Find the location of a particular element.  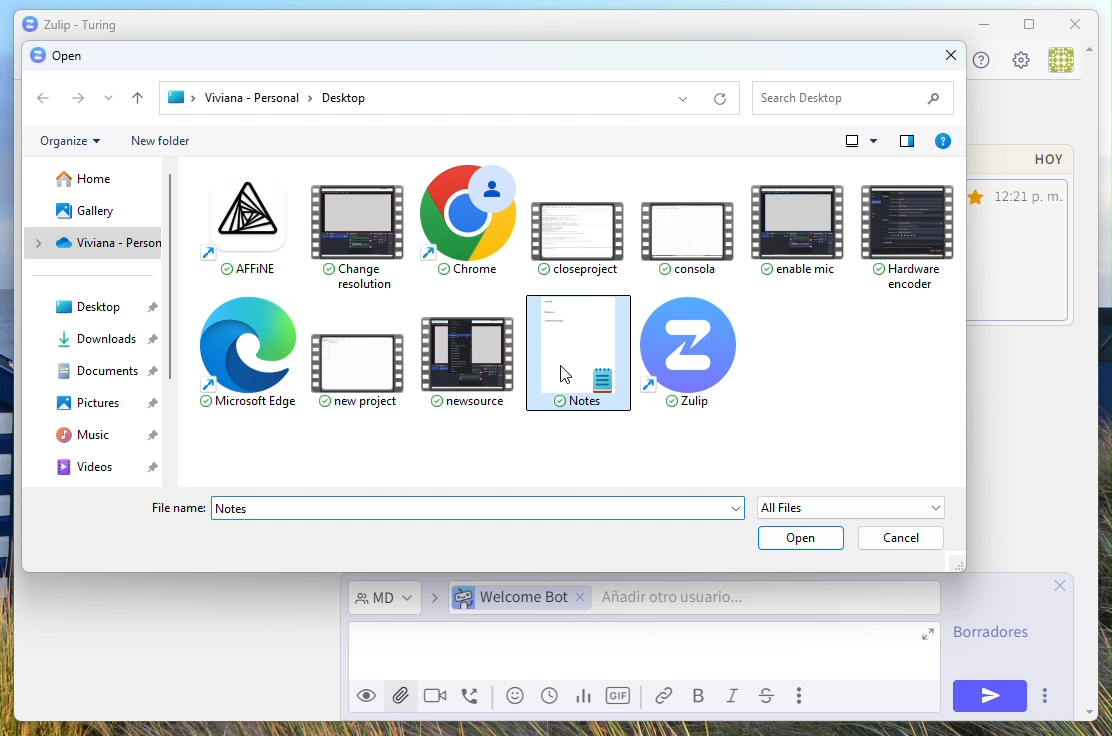

chrome is located at coordinates (462, 225).